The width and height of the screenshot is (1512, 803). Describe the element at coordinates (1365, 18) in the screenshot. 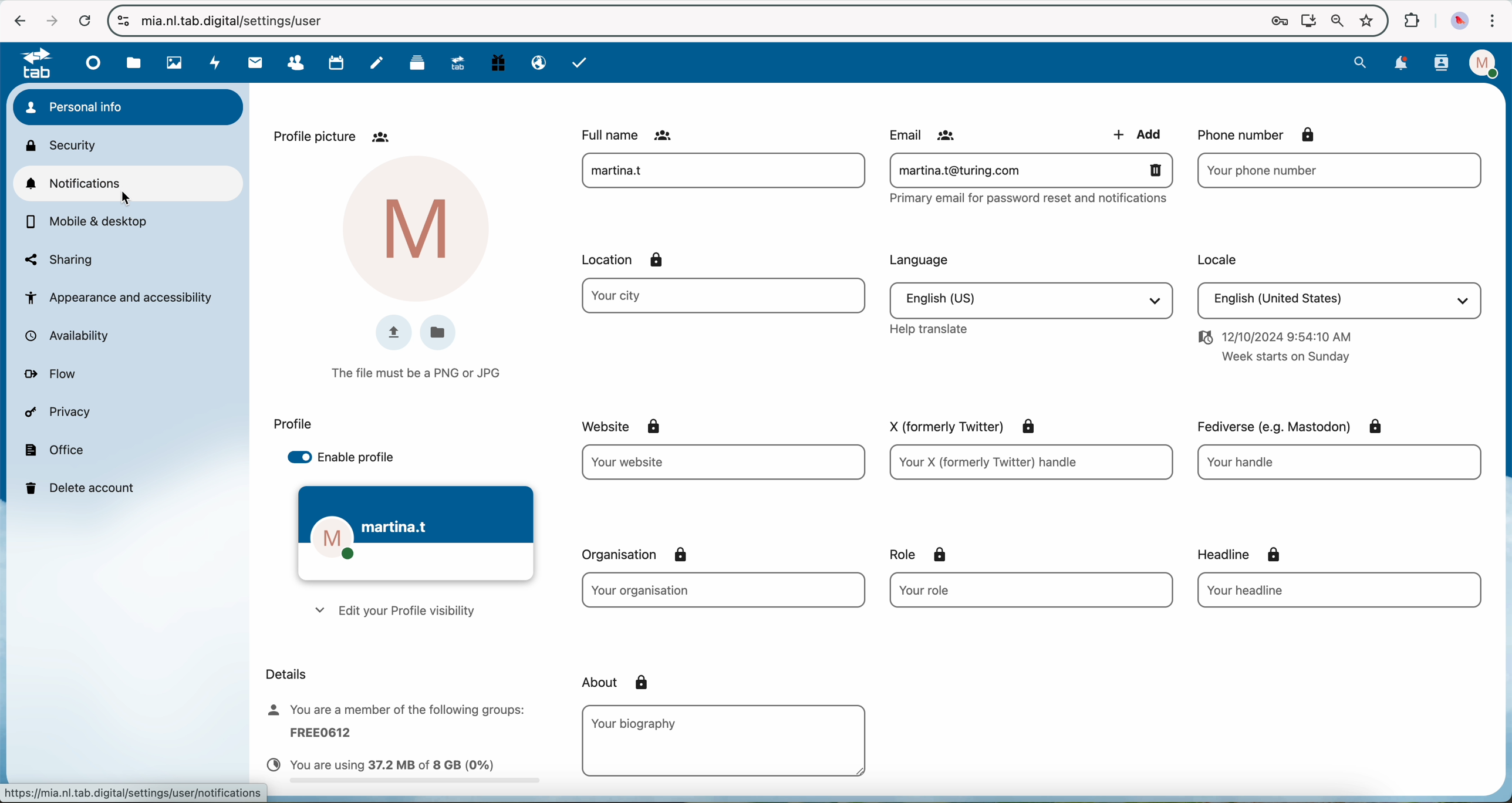

I see `favorites` at that location.